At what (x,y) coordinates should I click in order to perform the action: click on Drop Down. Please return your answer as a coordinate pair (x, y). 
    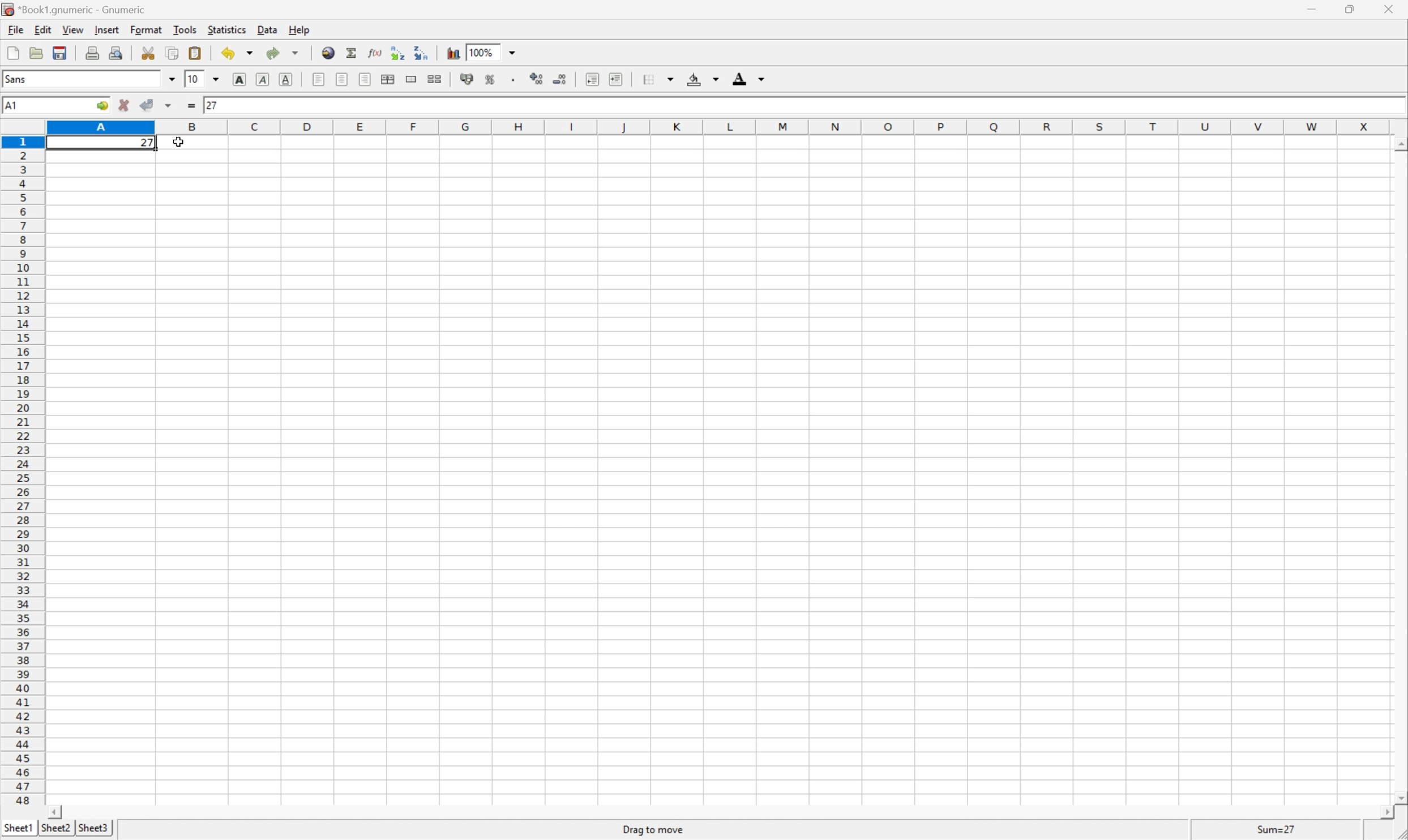
    Looking at the image, I should click on (219, 80).